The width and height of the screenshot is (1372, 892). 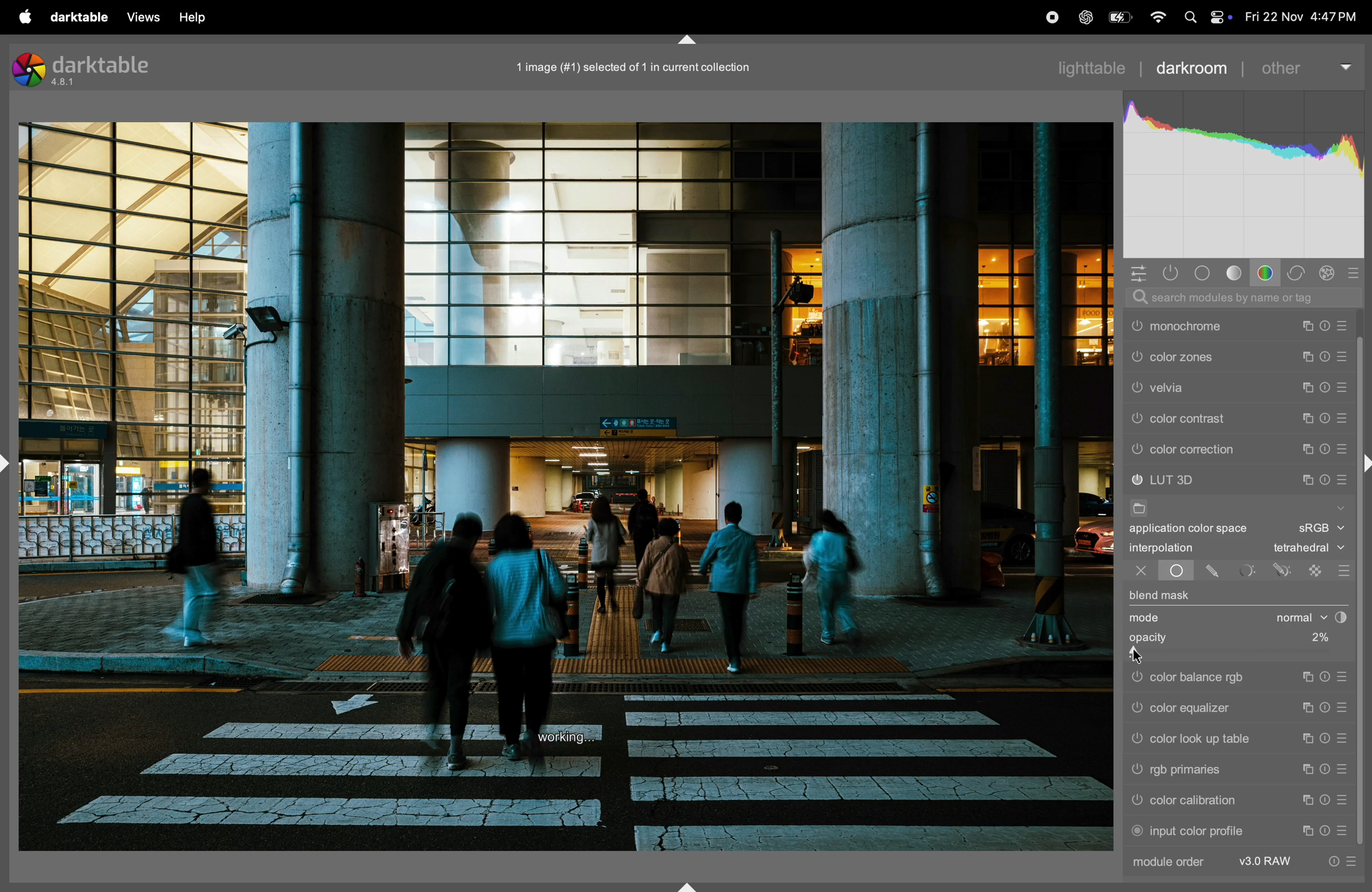 What do you see at coordinates (1356, 273) in the screenshot?
I see `presets` at bounding box center [1356, 273].